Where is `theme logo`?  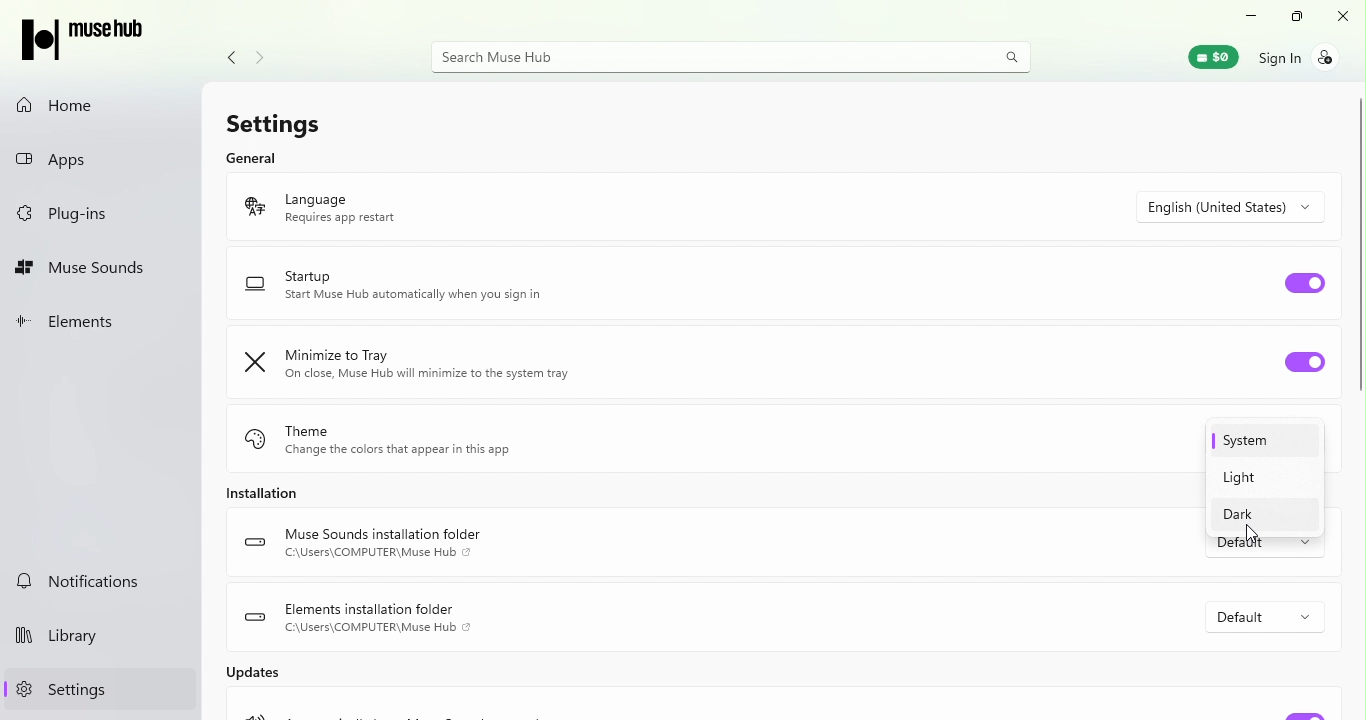
theme logo is located at coordinates (254, 443).